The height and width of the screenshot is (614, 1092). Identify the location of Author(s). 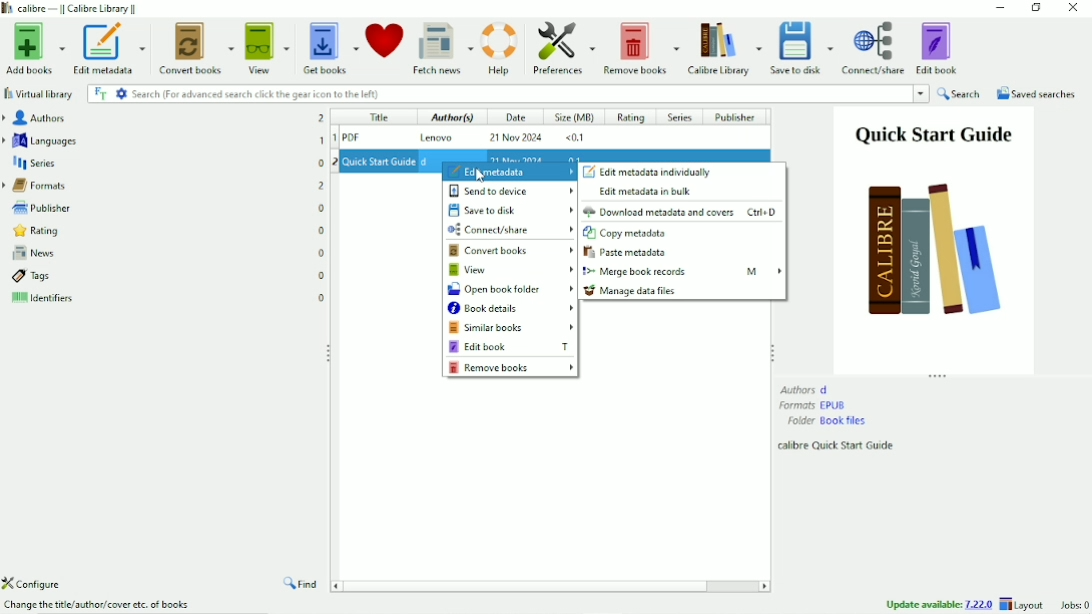
(447, 119).